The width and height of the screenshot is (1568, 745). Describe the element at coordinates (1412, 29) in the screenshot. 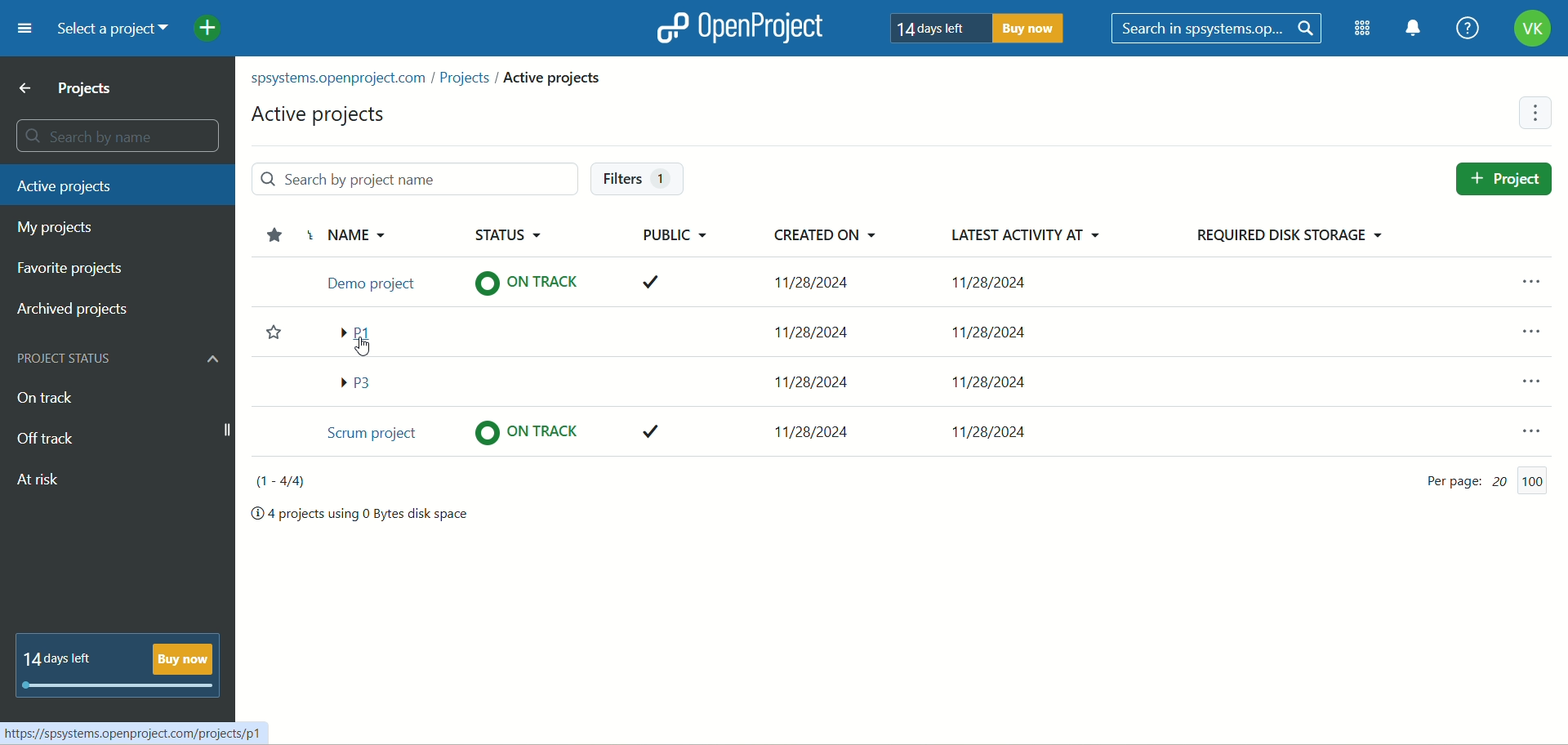

I see `notification` at that location.